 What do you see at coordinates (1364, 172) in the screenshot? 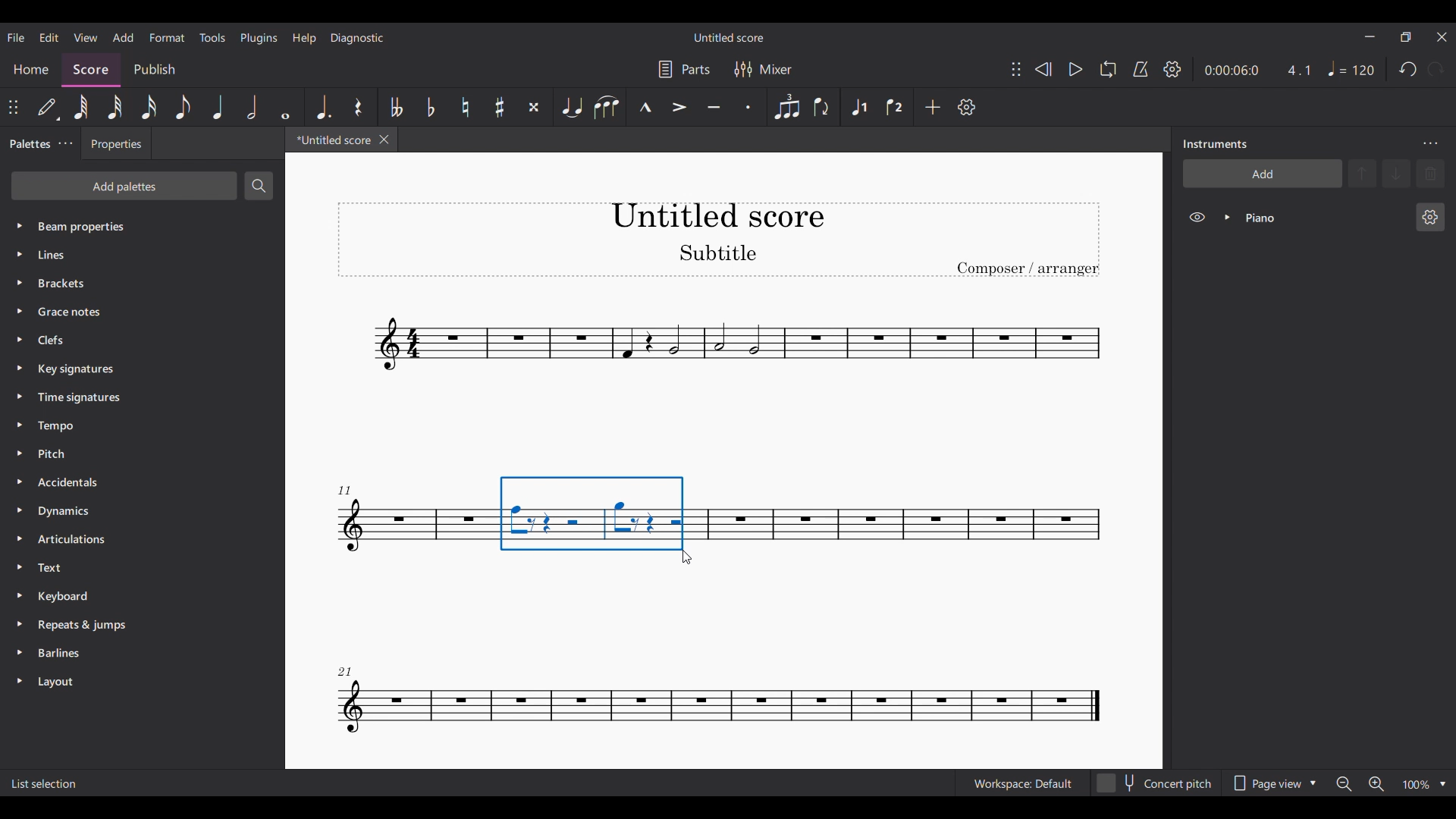
I see `Move selected instrument up` at bounding box center [1364, 172].